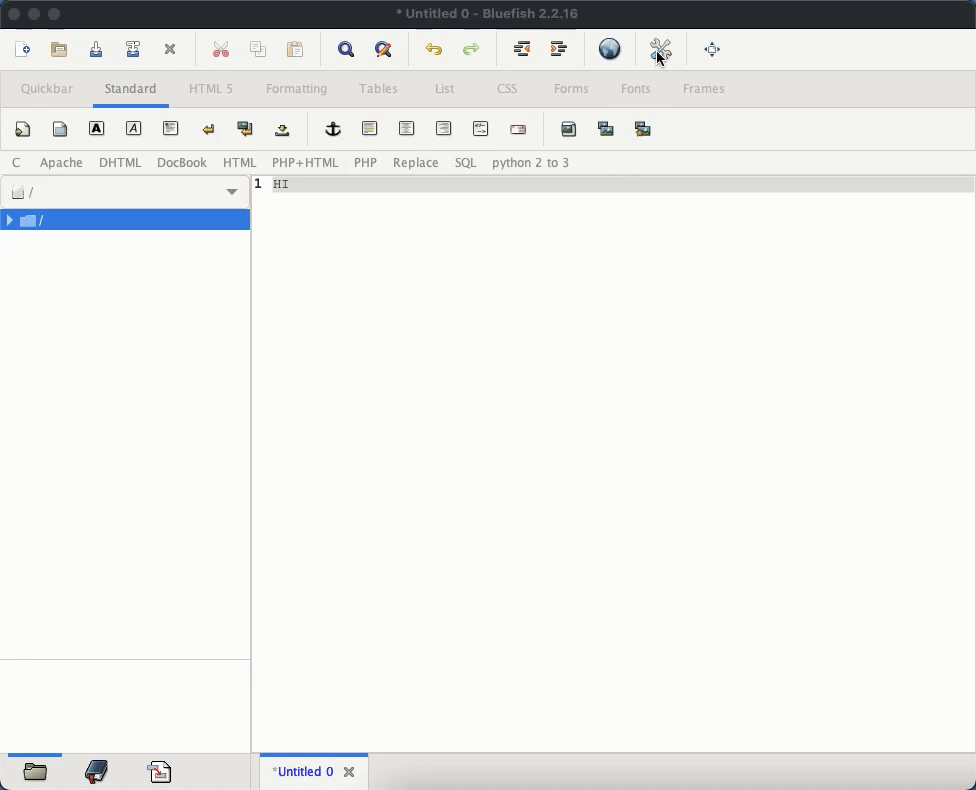 This screenshot has height=790, width=976. What do you see at coordinates (350, 770) in the screenshot?
I see `close` at bounding box center [350, 770].